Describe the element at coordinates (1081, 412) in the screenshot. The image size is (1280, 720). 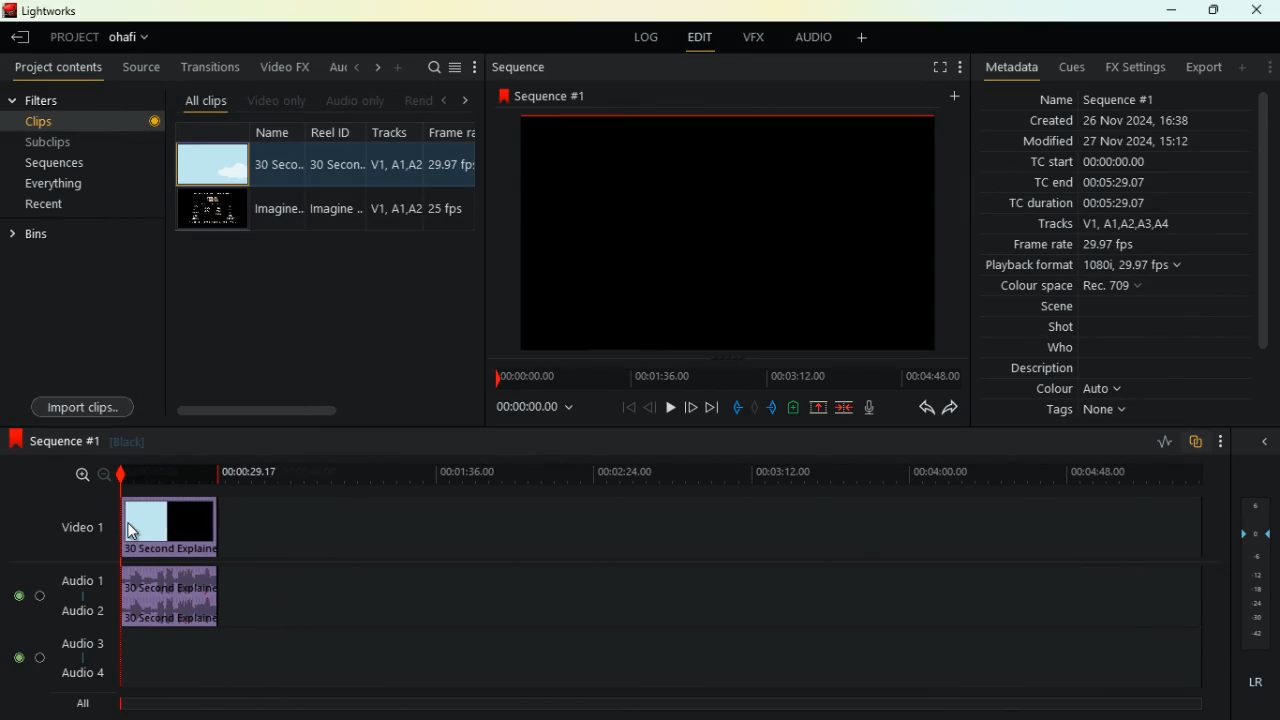
I see `tags` at that location.